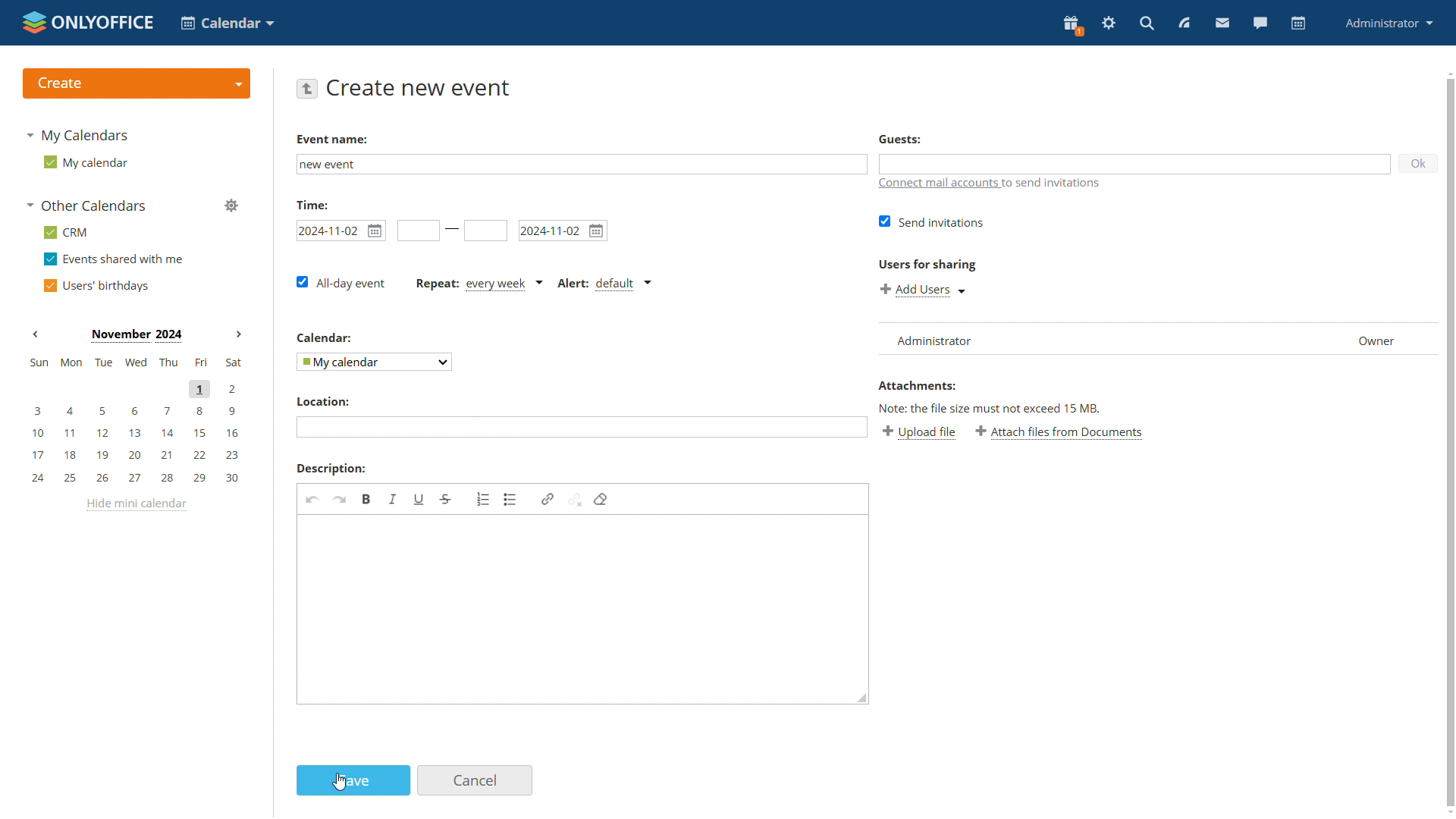 The height and width of the screenshot is (819, 1456). Describe the element at coordinates (36, 334) in the screenshot. I see `Previous month` at that location.